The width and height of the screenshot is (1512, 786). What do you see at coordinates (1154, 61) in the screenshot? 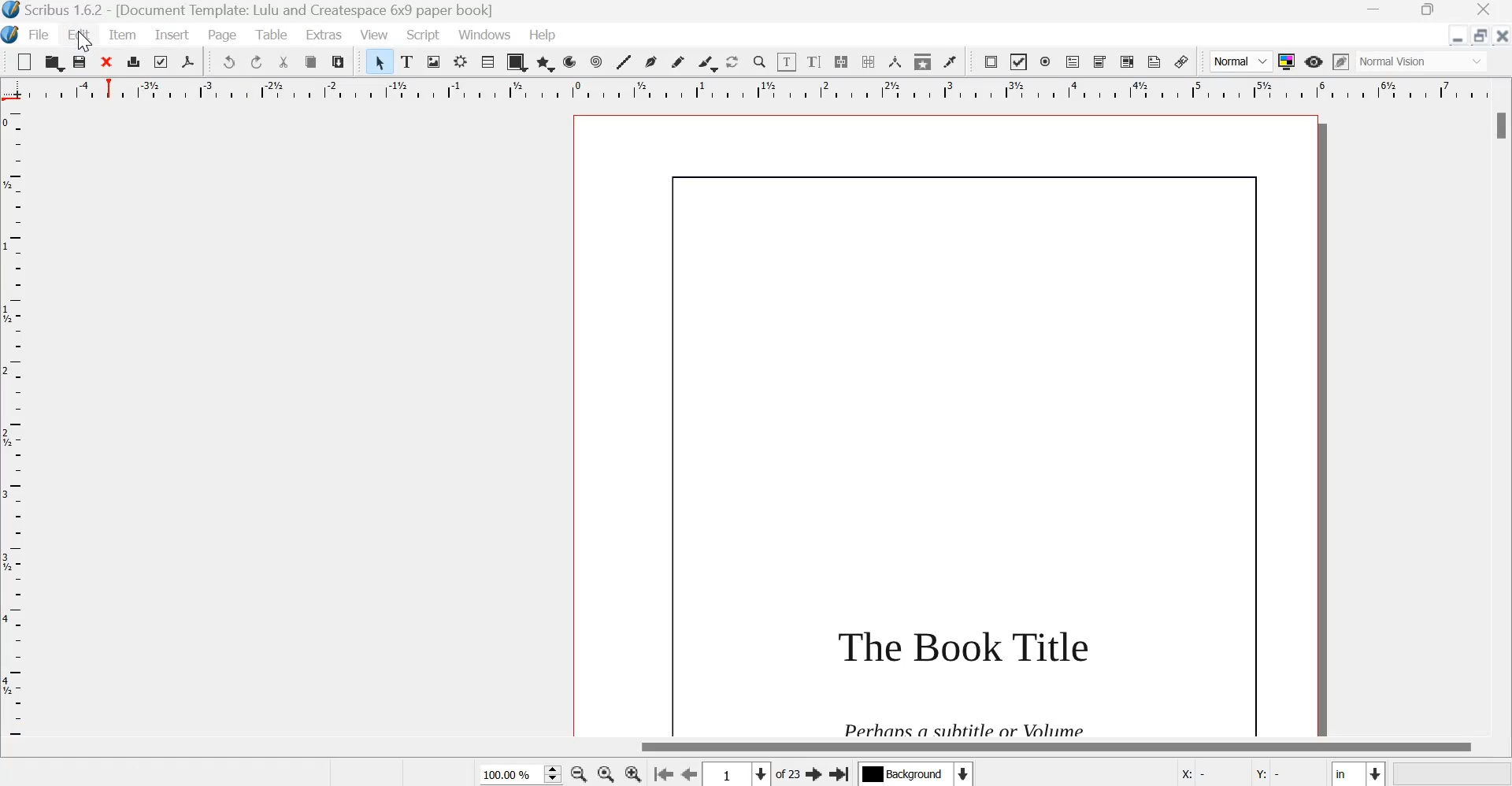
I see `Text annotation` at bounding box center [1154, 61].